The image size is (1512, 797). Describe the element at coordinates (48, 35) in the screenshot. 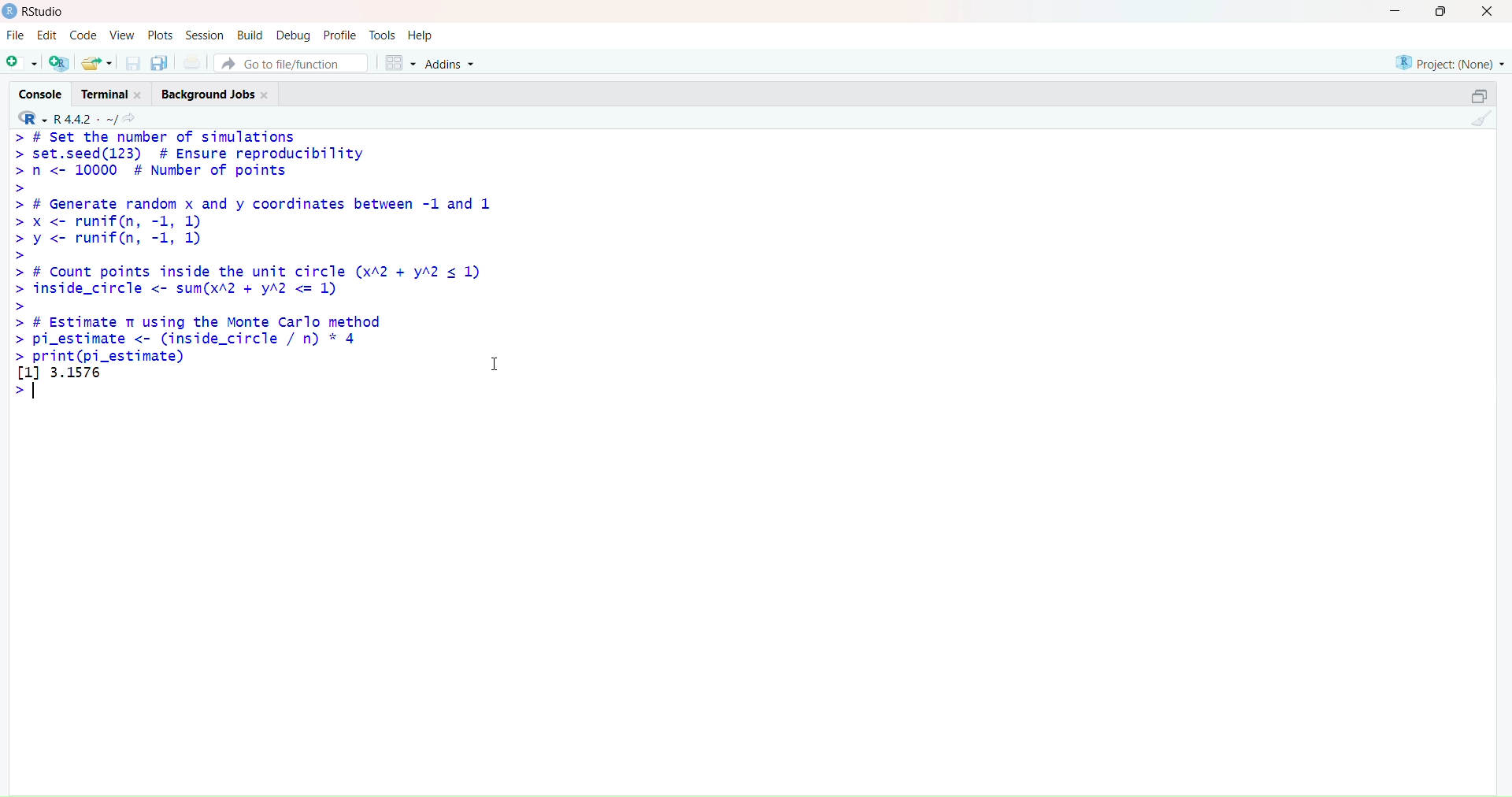

I see `Edit` at that location.